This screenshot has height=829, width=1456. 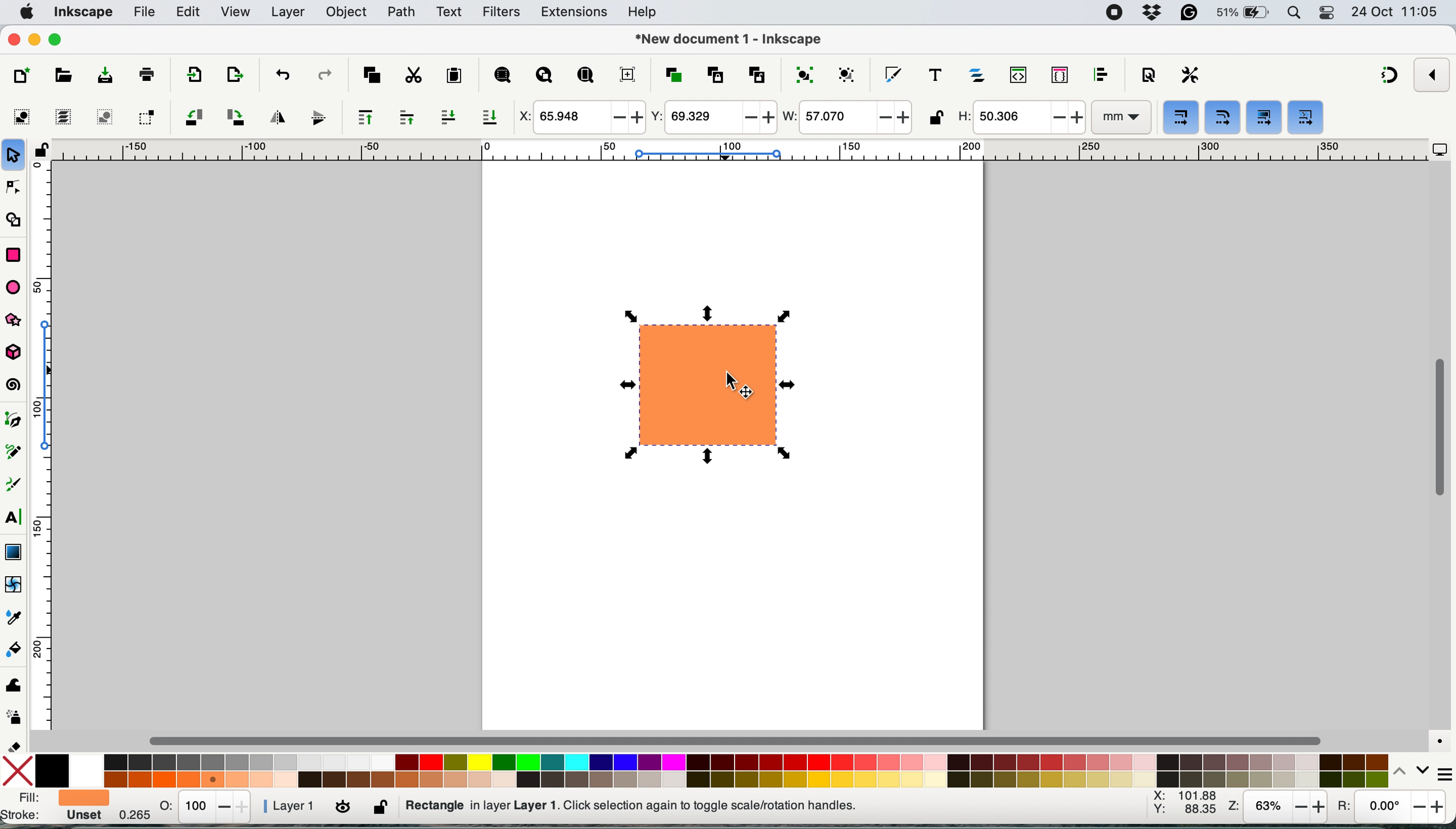 I want to click on select all objects, so click(x=25, y=117).